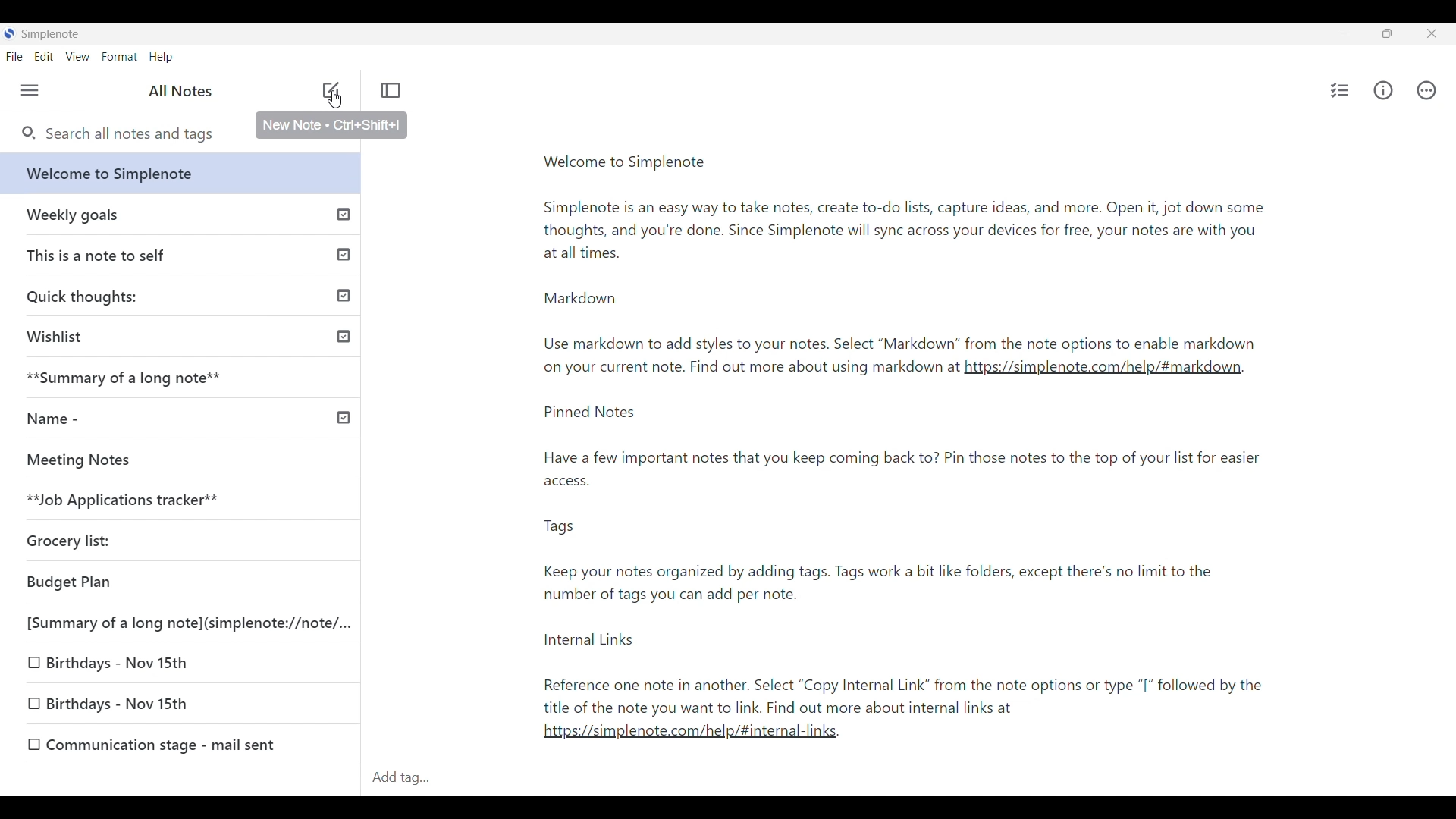 Image resolution: width=1456 pixels, height=819 pixels. Describe the element at coordinates (50, 34) in the screenshot. I see `Software name` at that location.